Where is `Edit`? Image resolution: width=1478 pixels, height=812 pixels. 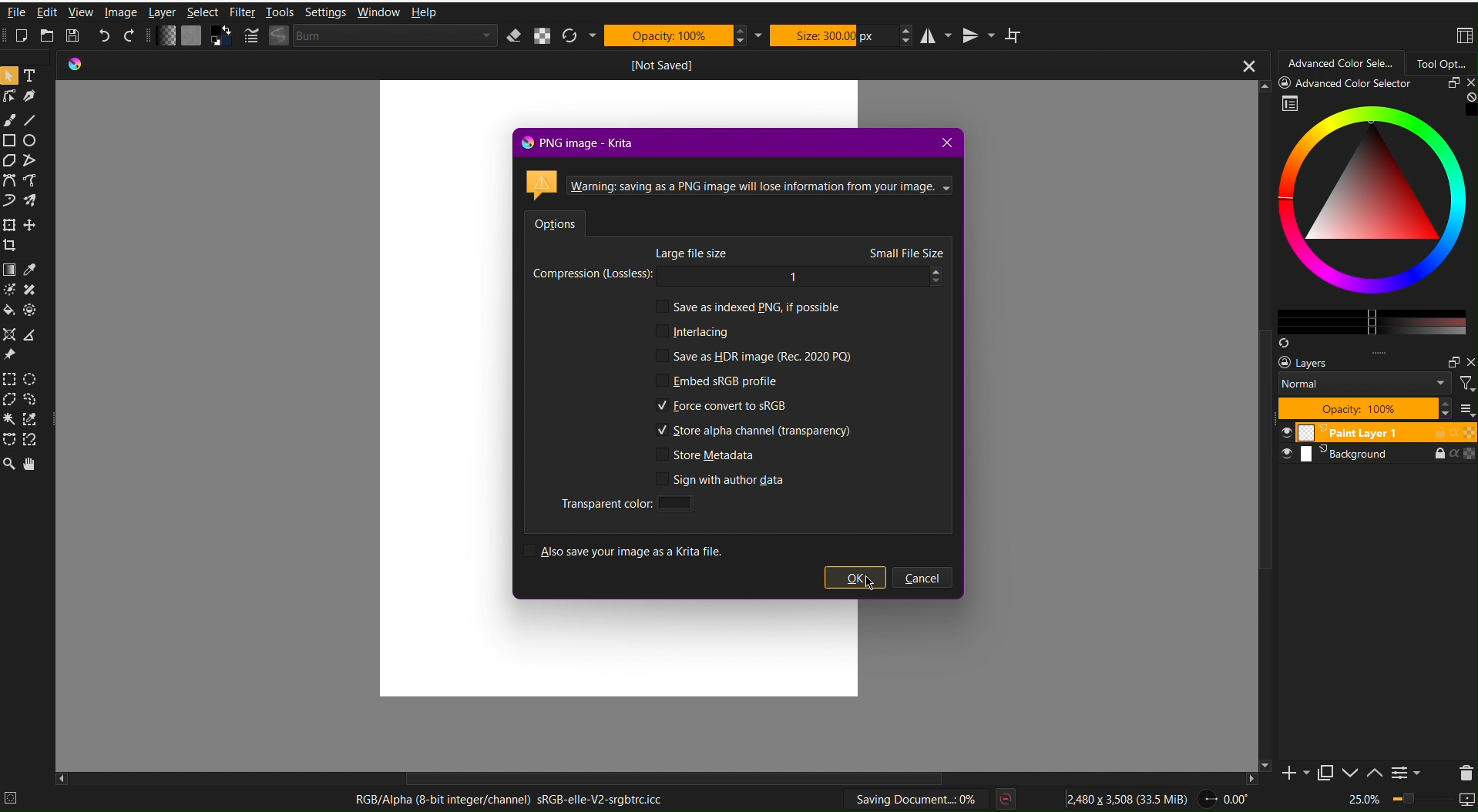 Edit is located at coordinates (49, 15).